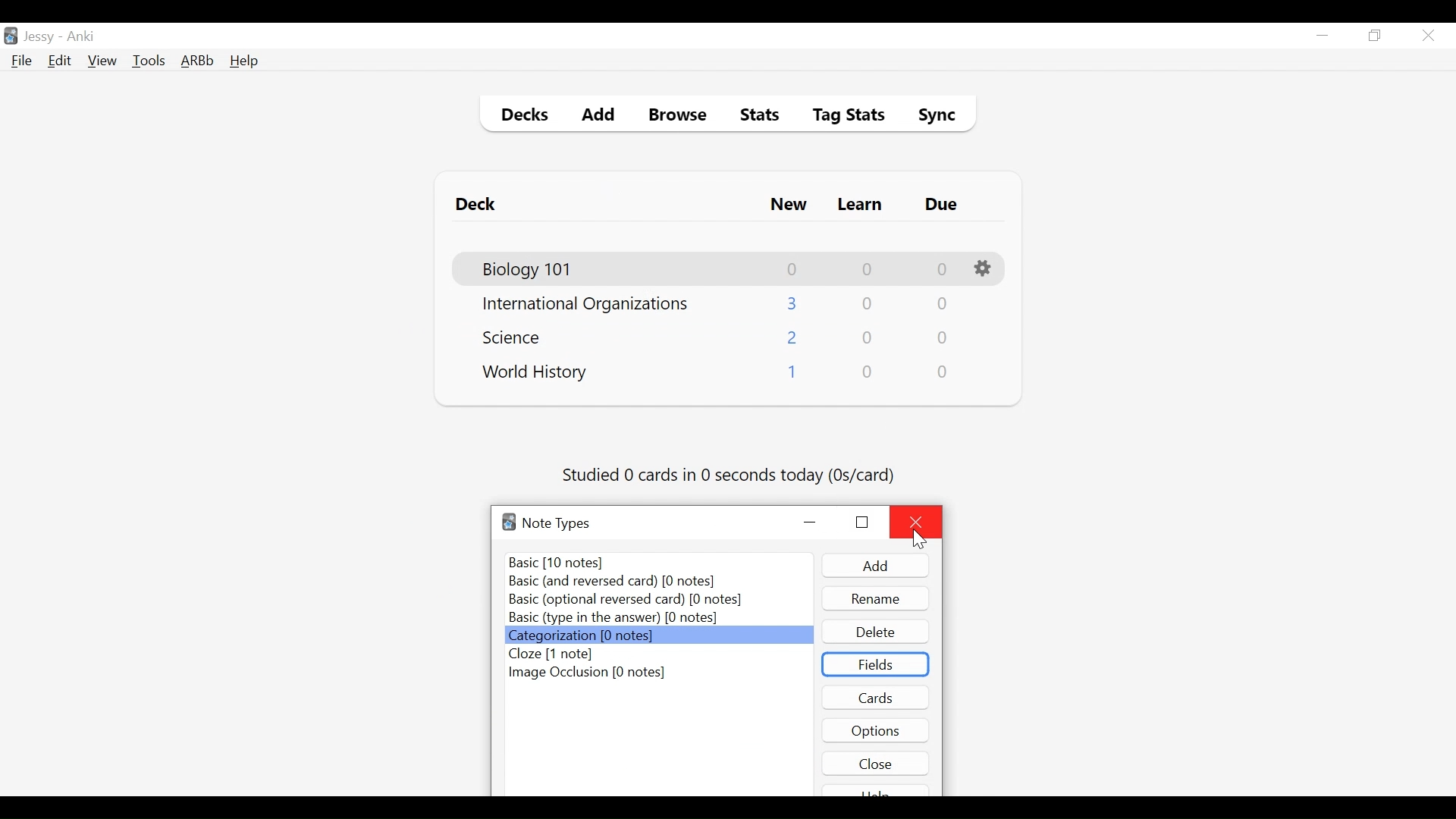  I want to click on New Card Count, so click(793, 303).